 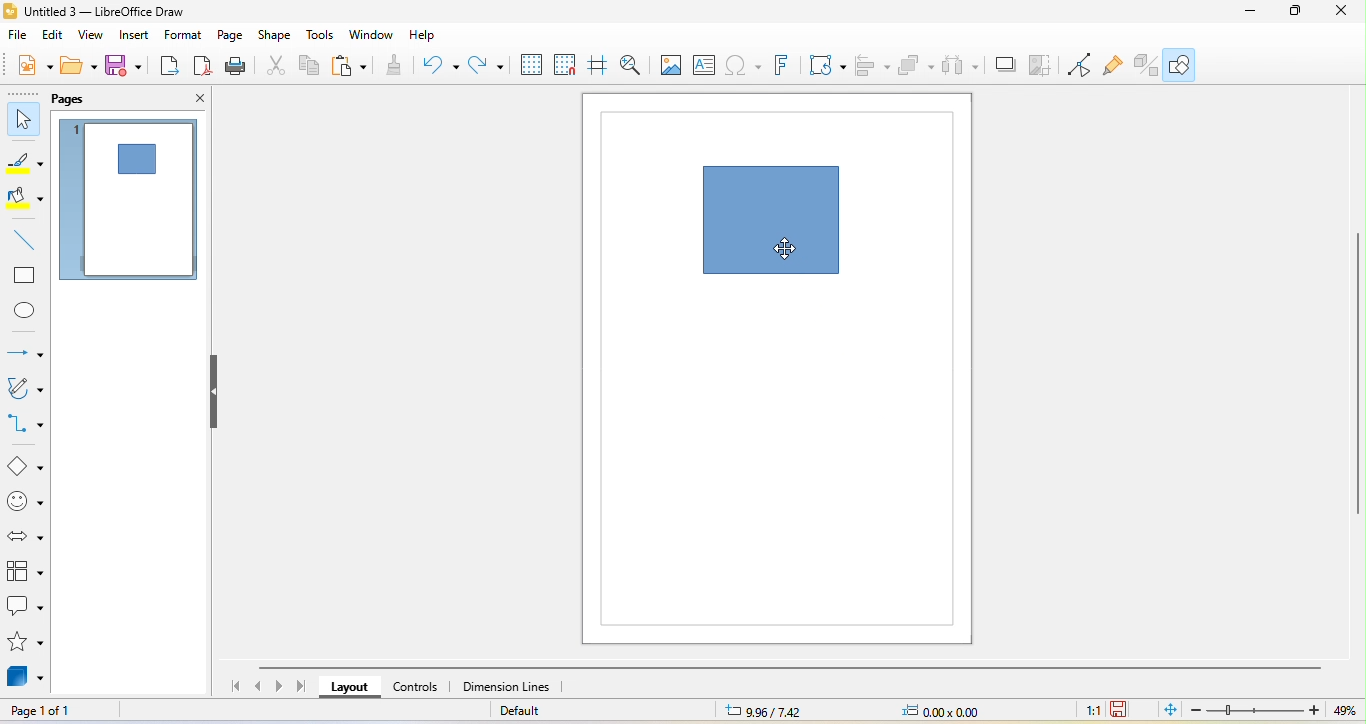 I want to click on horizontal scroll bar, so click(x=794, y=668).